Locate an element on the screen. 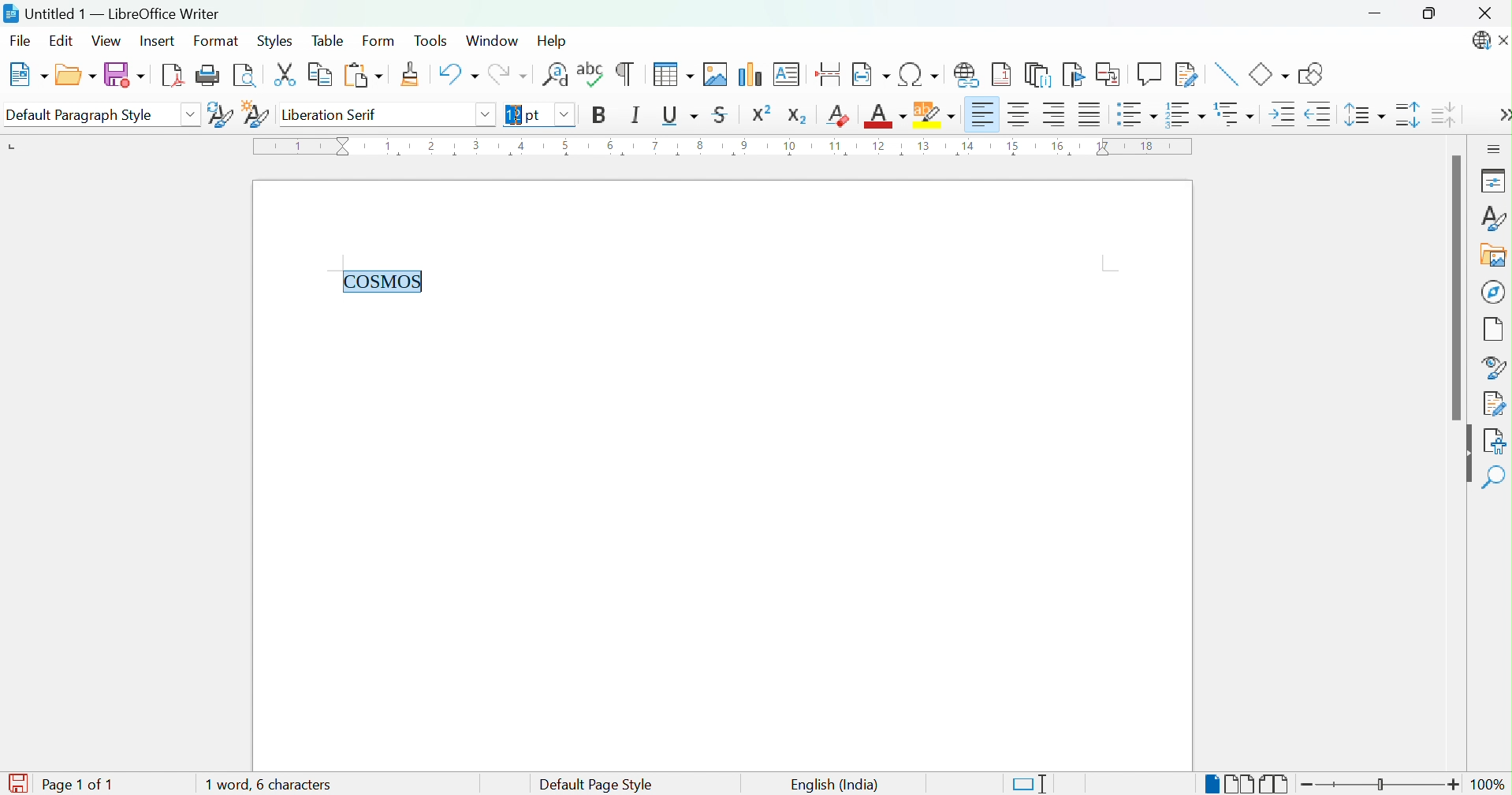 Image resolution: width=1512 pixels, height=795 pixels. Increase Paragraph Spacing is located at coordinates (1408, 116).